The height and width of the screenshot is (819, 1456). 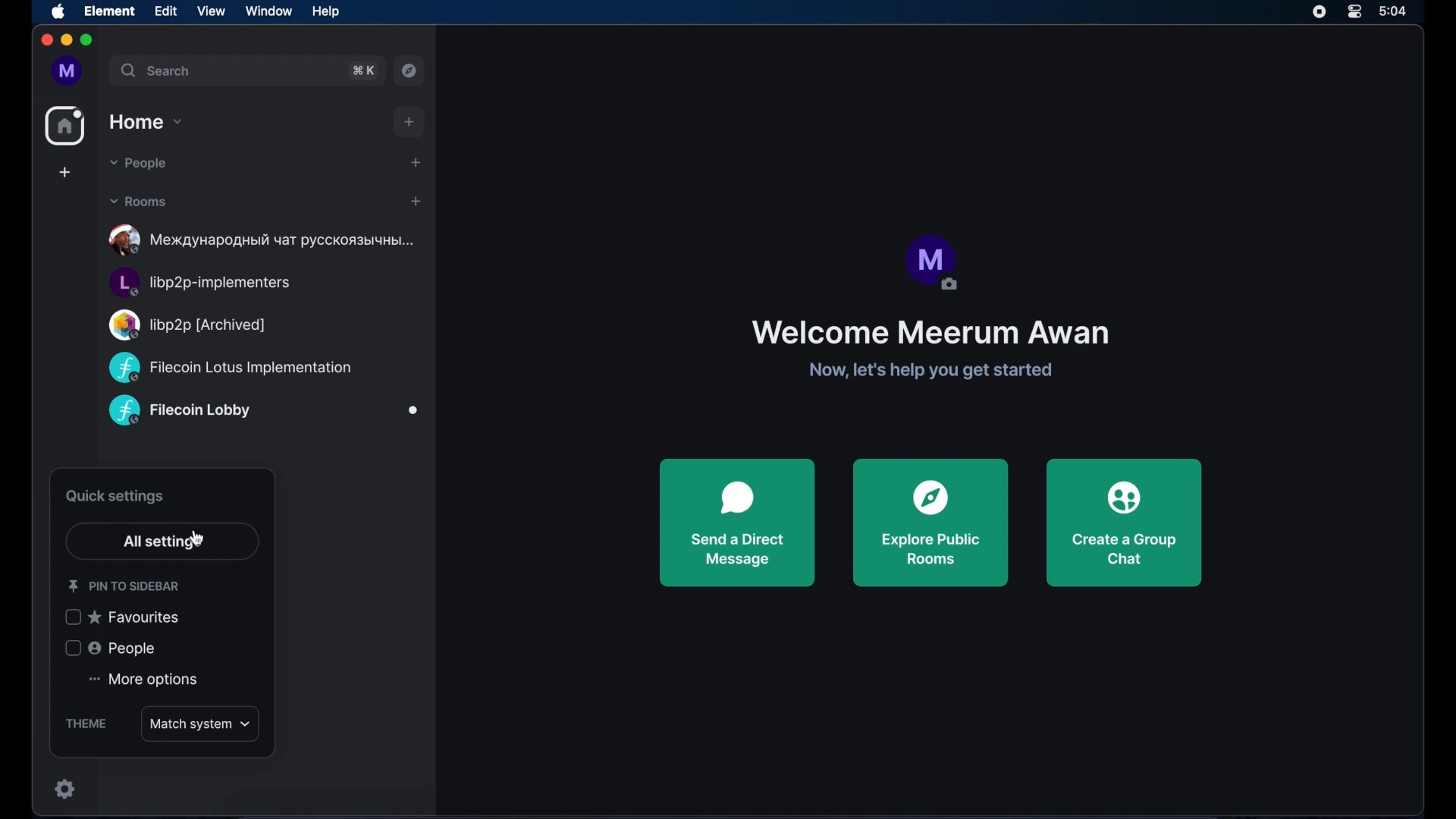 What do you see at coordinates (1125, 522) in the screenshot?
I see `create a group chat` at bounding box center [1125, 522].